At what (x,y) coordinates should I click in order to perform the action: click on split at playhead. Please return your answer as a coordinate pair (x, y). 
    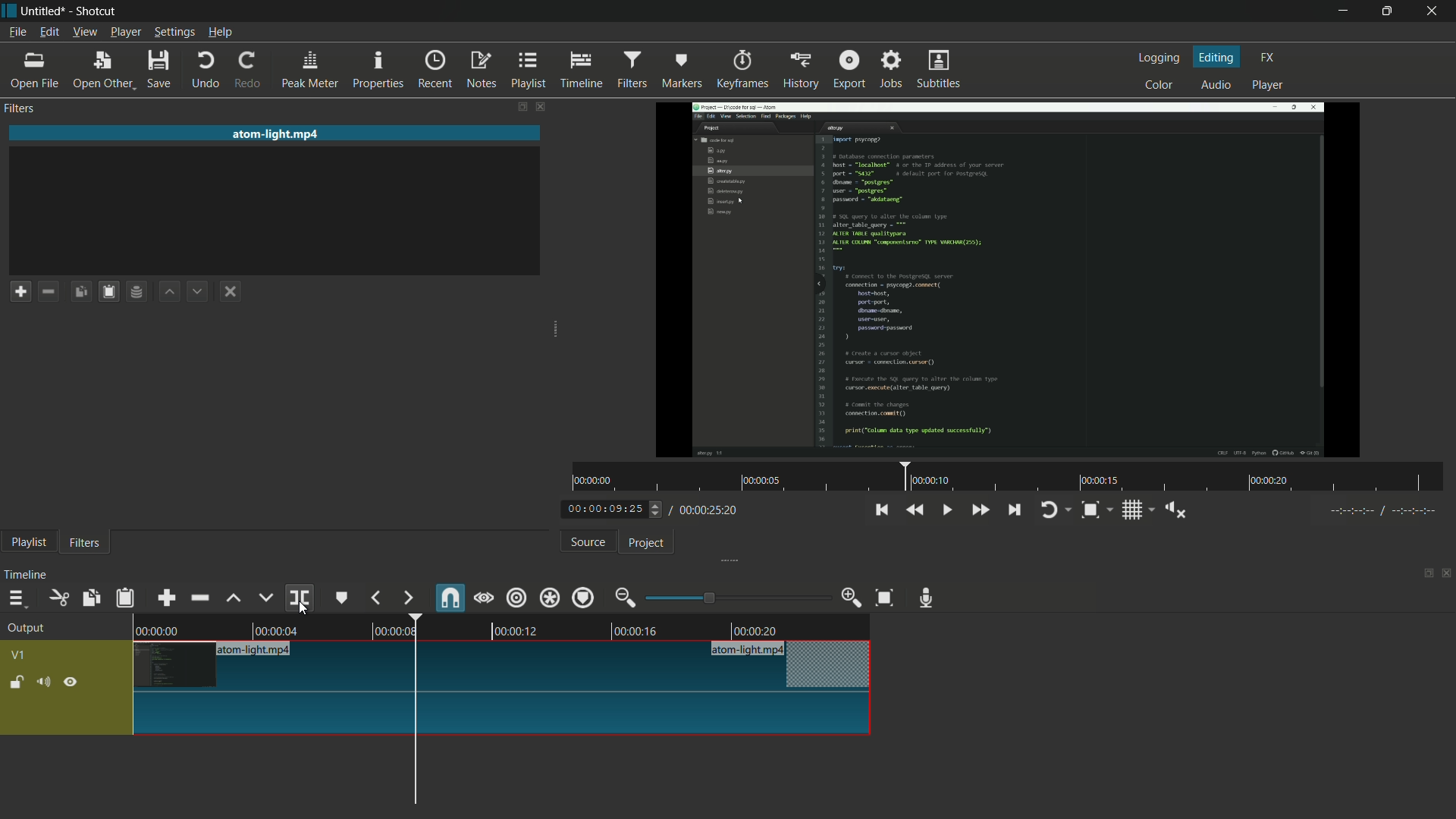
    Looking at the image, I should click on (300, 598).